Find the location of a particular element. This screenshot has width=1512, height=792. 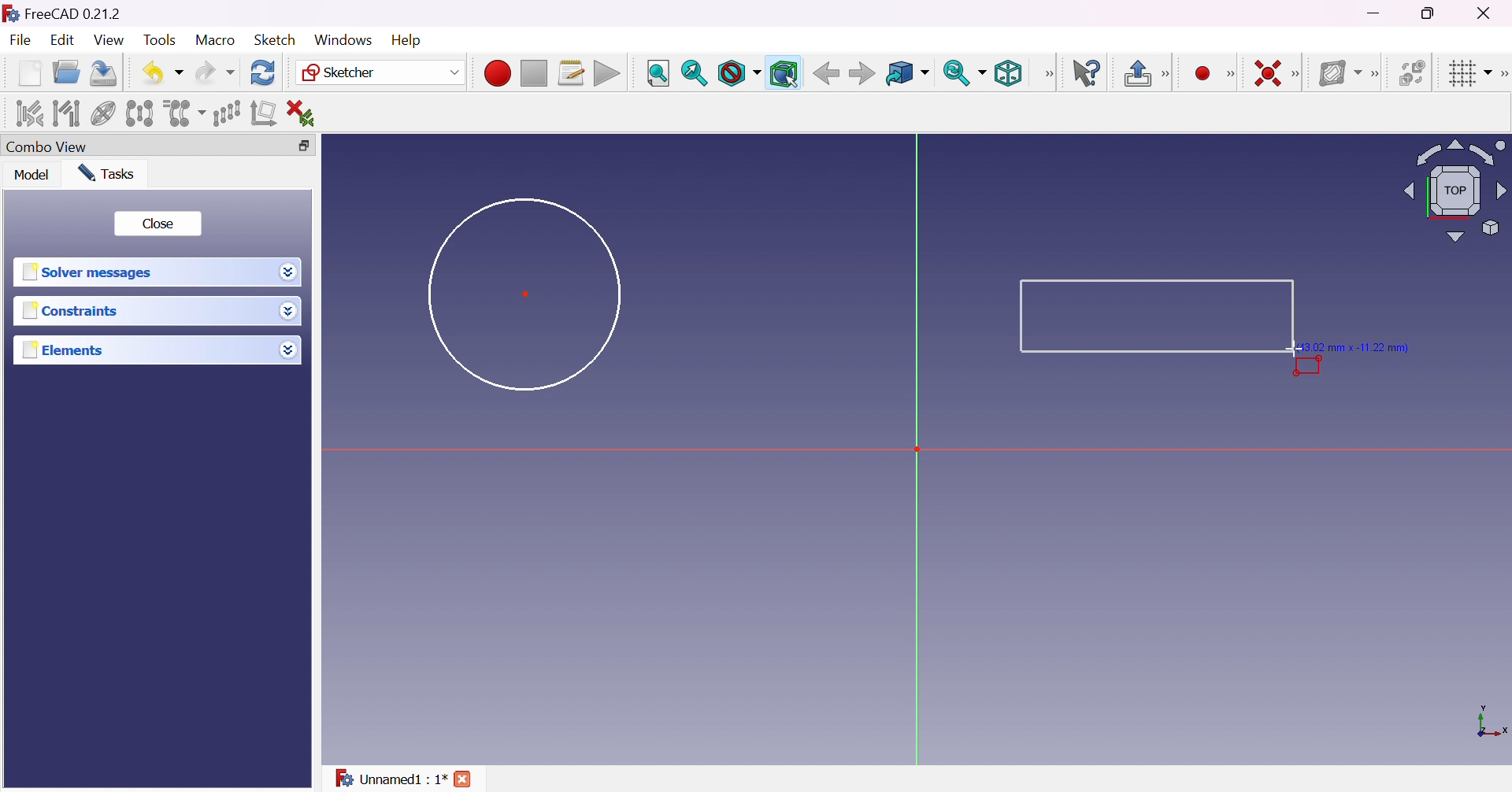

[Sketcher constraints] is located at coordinates (1299, 75).